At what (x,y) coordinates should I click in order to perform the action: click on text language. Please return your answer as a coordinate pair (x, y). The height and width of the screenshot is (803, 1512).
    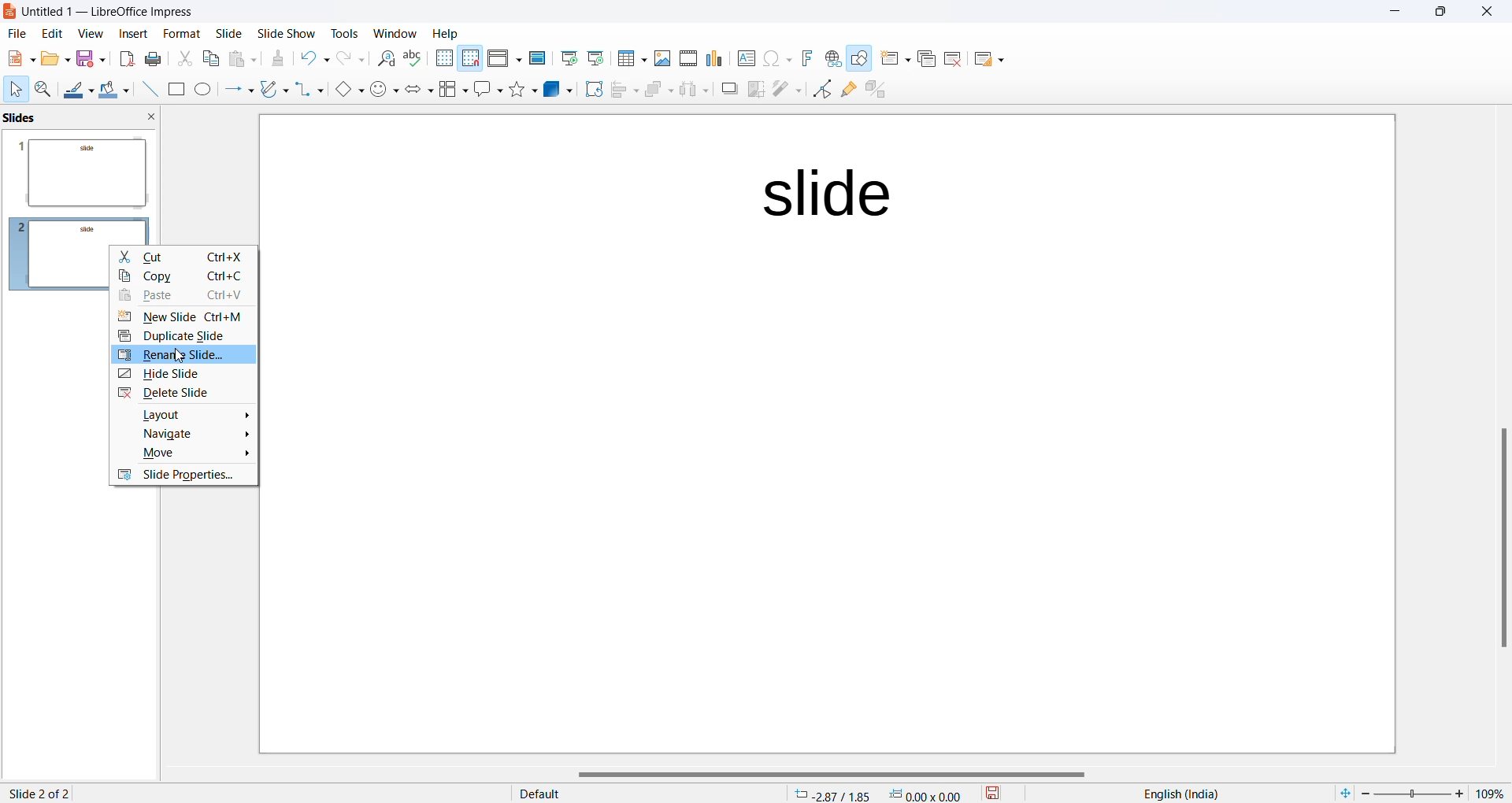
    Looking at the image, I should click on (1185, 793).